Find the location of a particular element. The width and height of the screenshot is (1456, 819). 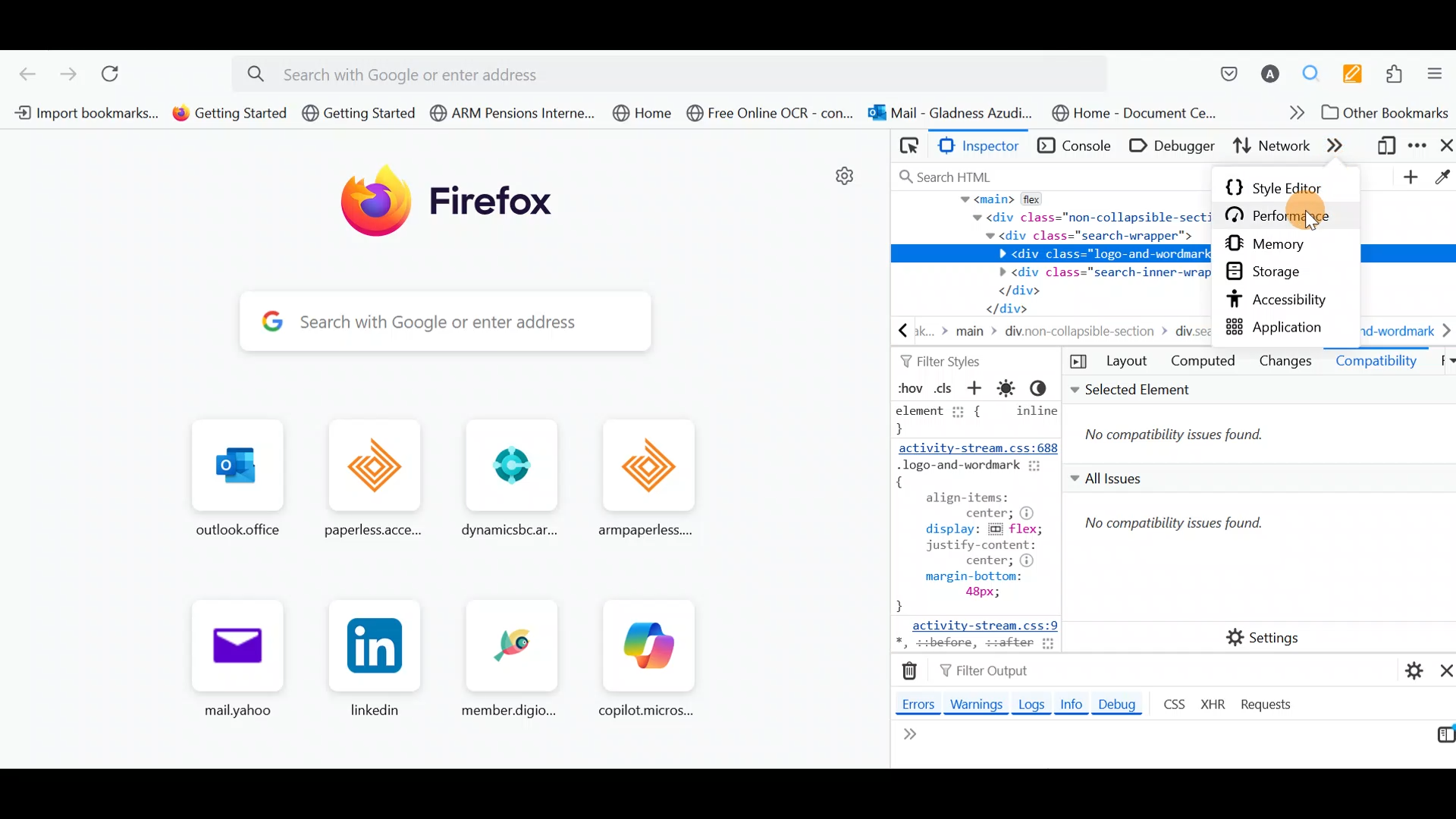

Bookmark 5 is located at coordinates (648, 115).